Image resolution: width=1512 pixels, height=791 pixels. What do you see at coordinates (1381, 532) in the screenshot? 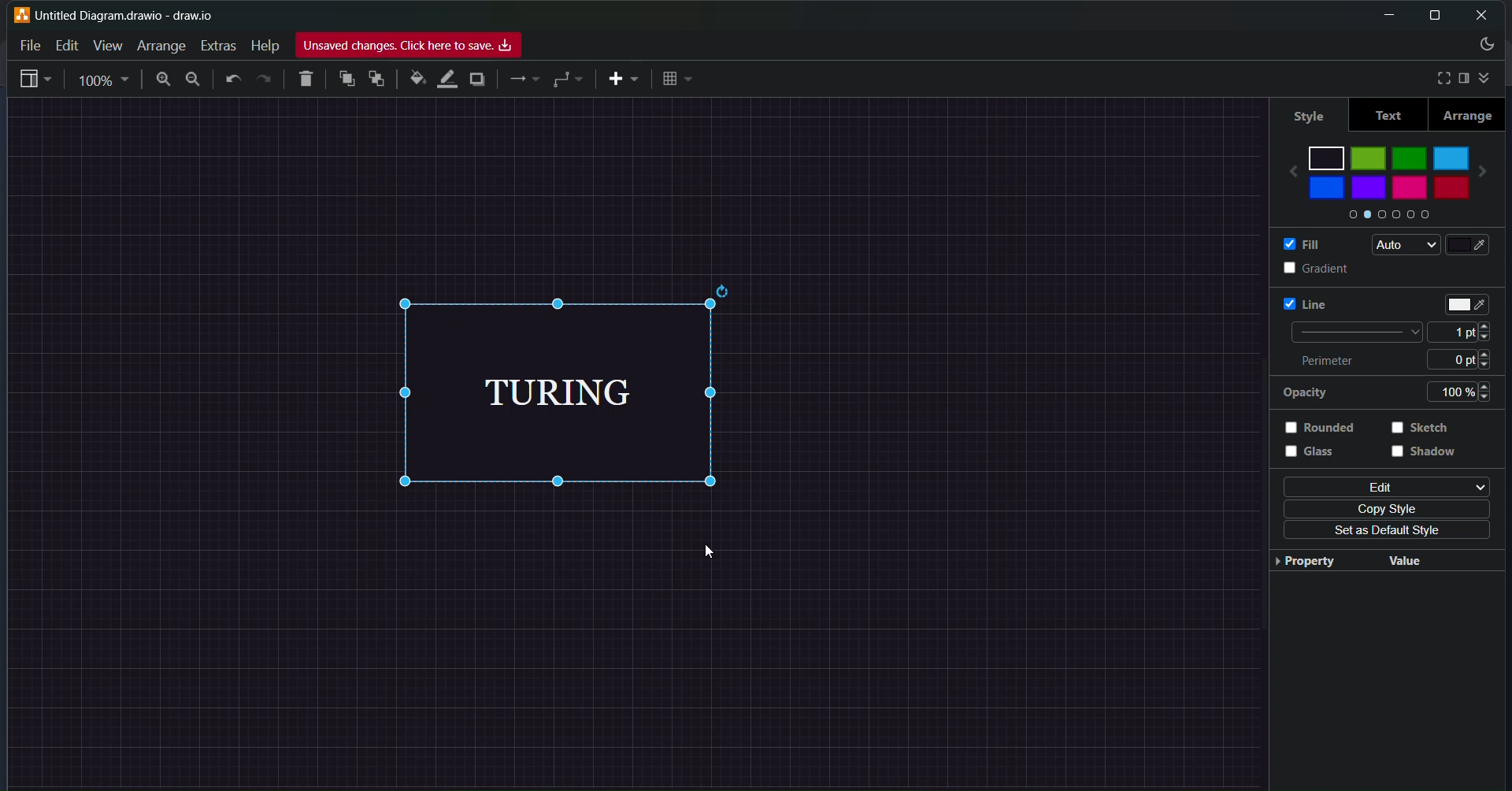
I see `set as default style` at bounding box center [1381, 532].